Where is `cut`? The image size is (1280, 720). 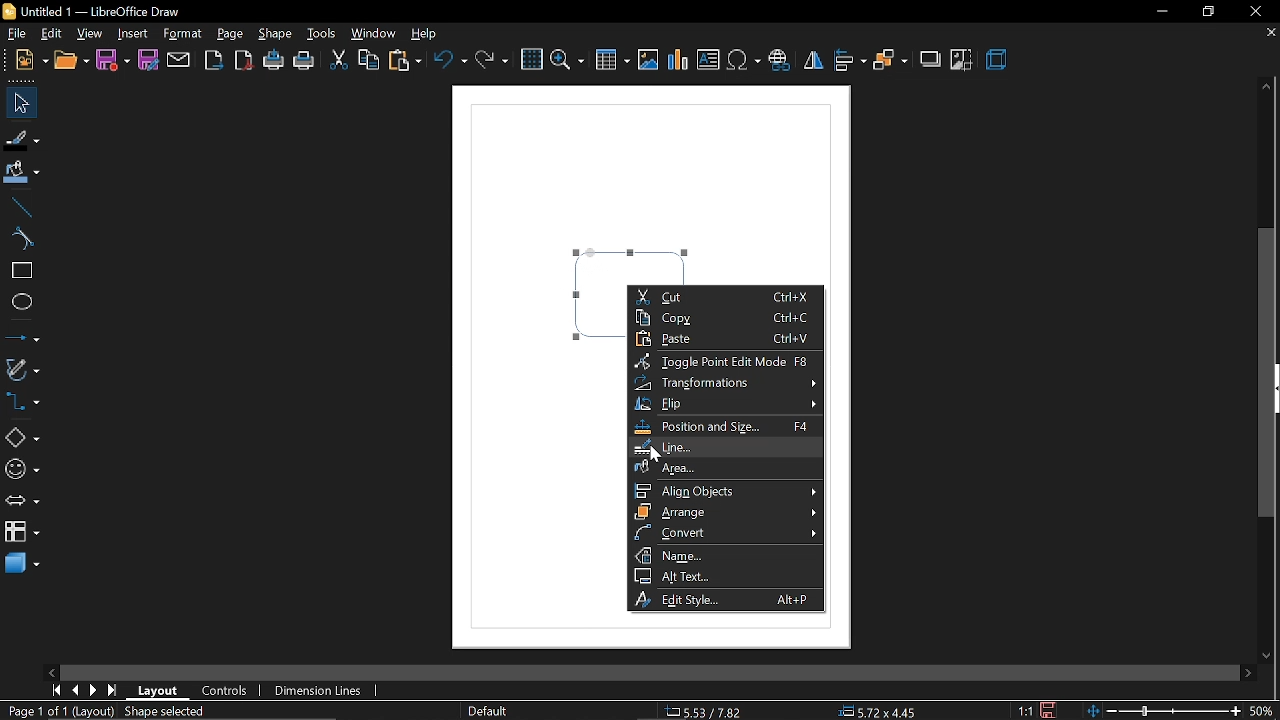
cut is located at coordinates (726, 296).